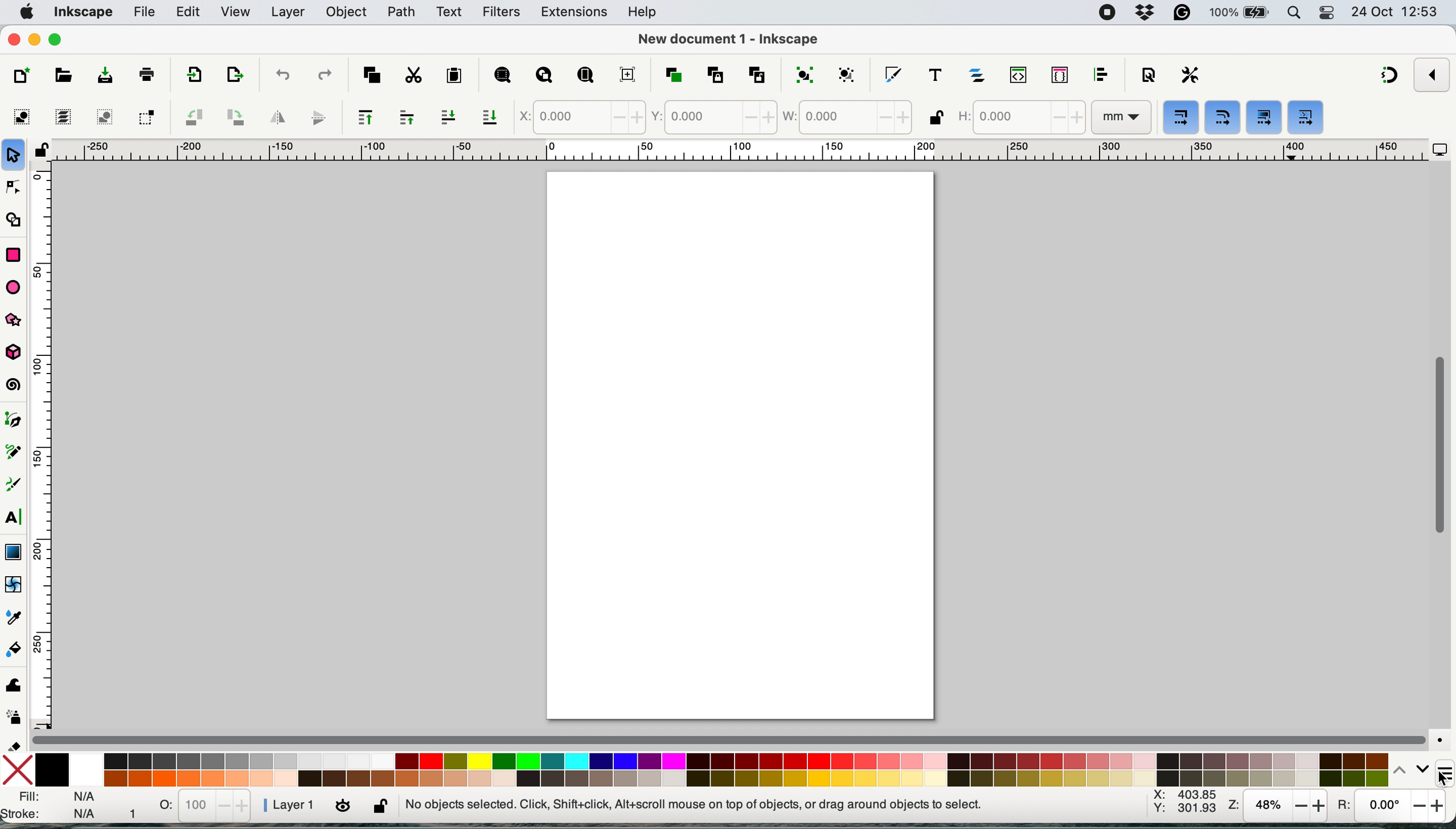 This screenshot has height=829, width=1456. Describe the element at coordinates (14, 616) in the screenshot. I see `dropper tool` at that location.